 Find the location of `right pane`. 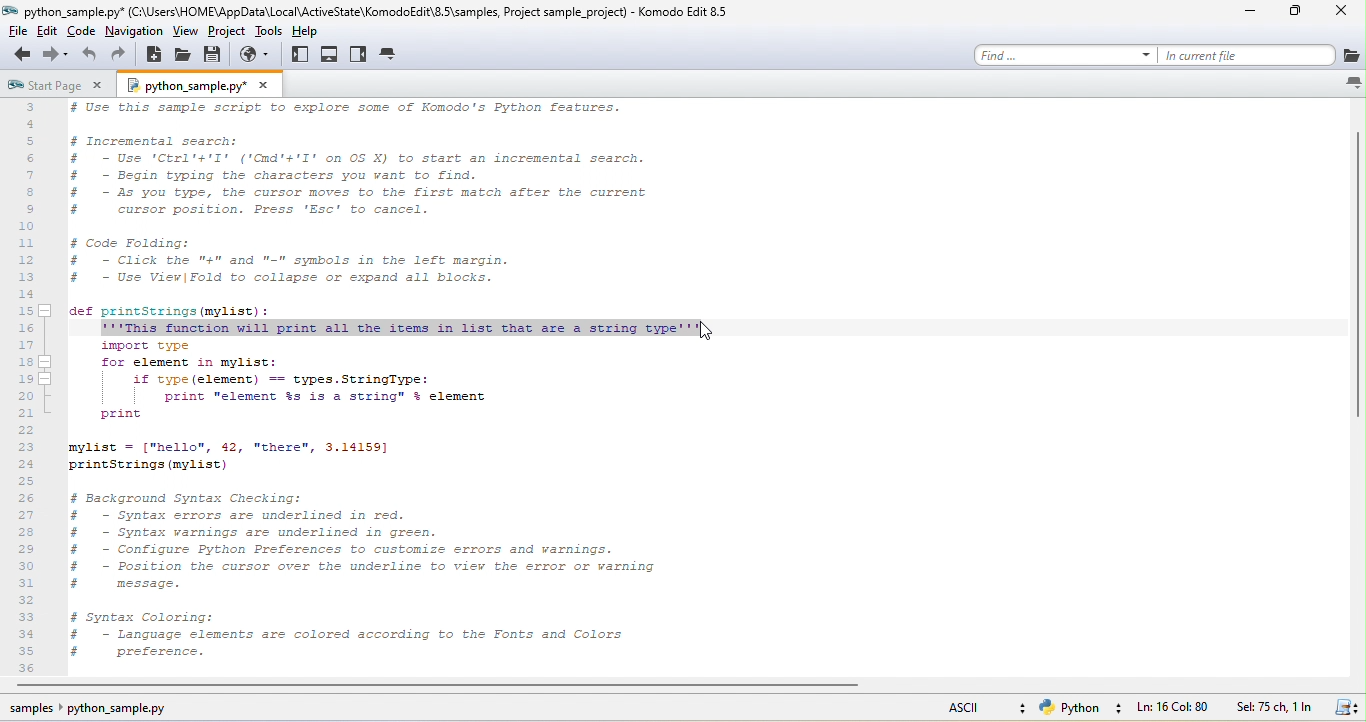

right pane is located at coordinates (360, 56).